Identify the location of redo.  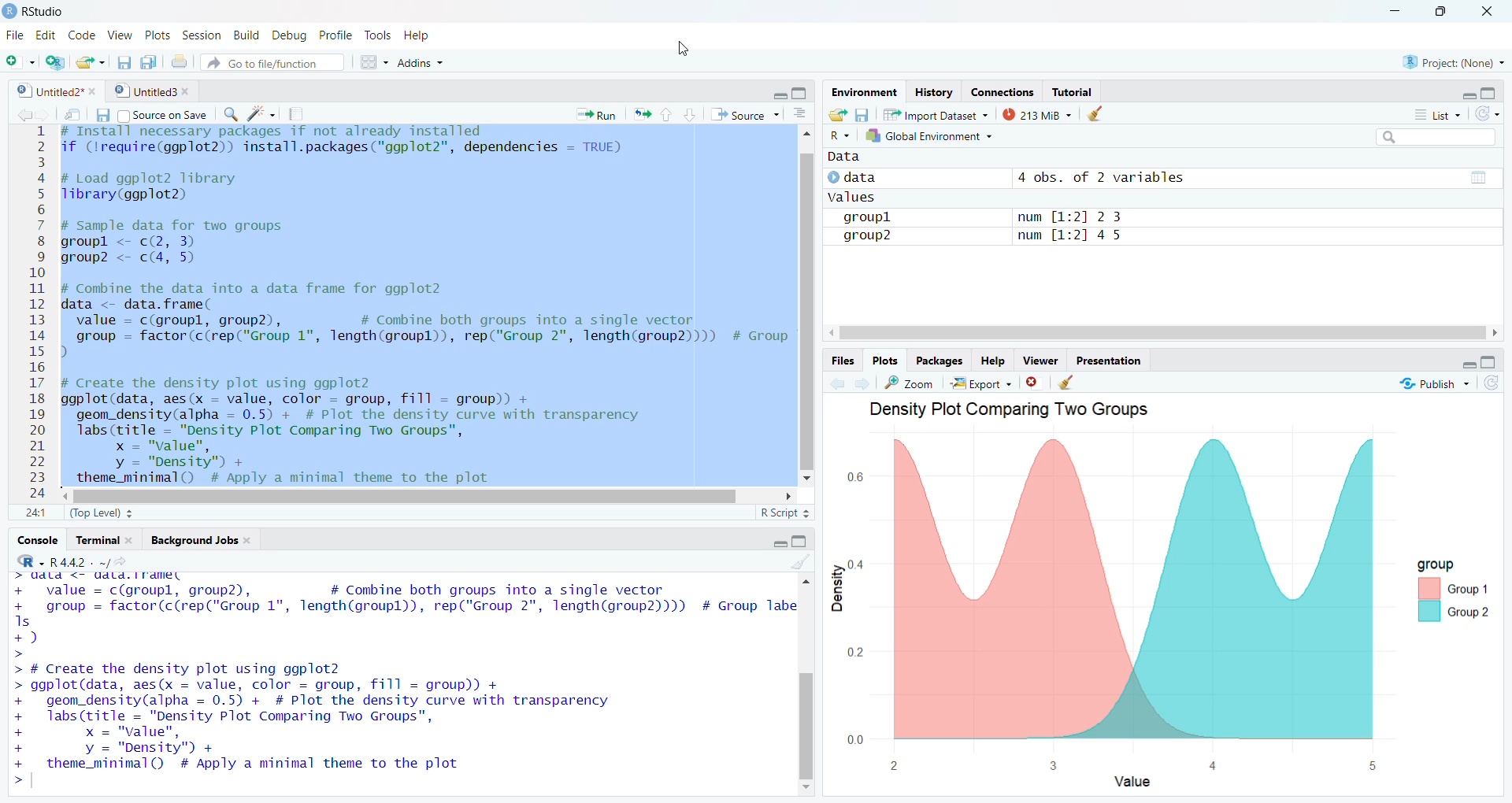
(1489, 115).